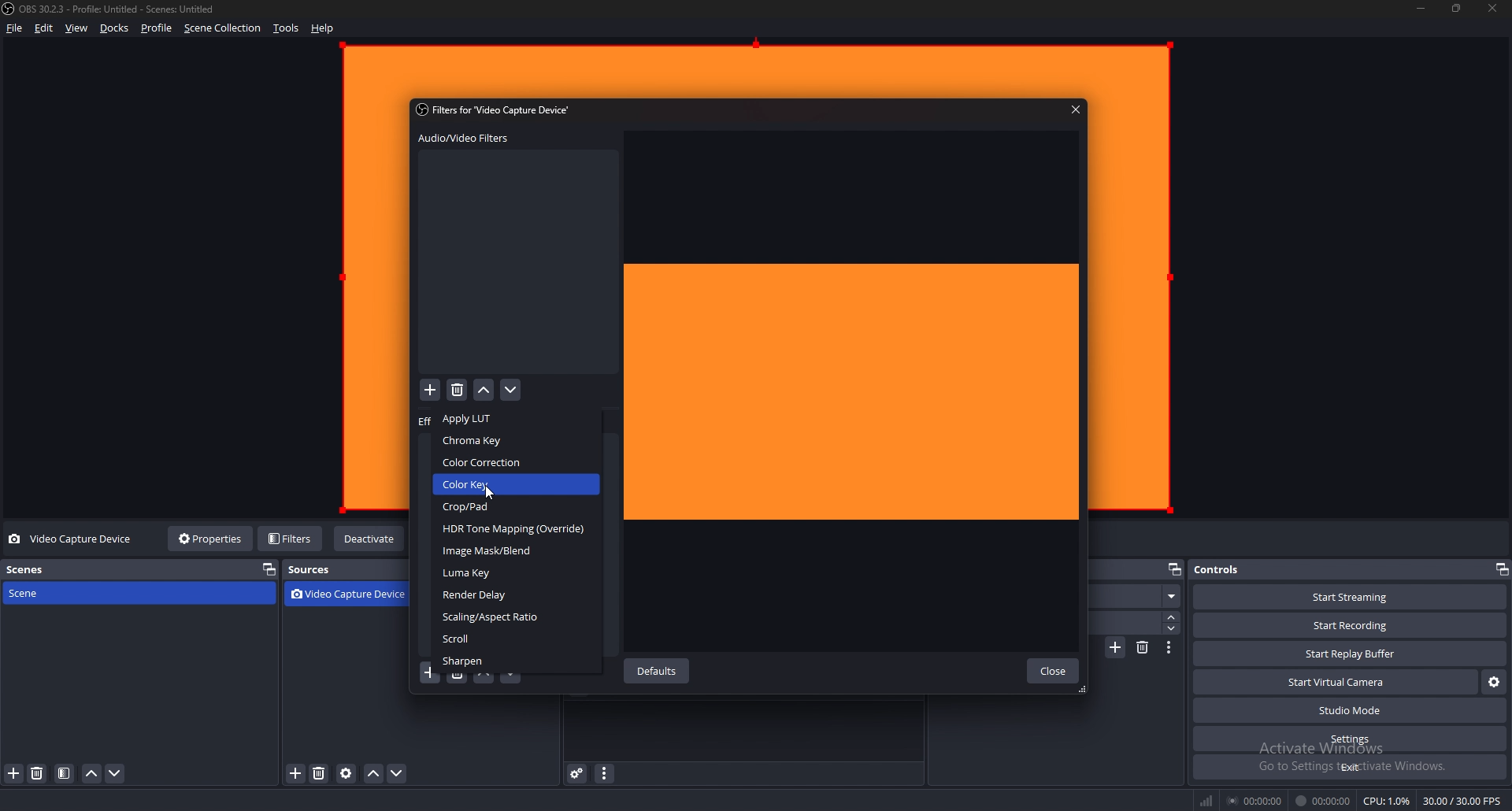 This screenshot has height=811, width=1512. I want to click on cursor, so click(489, 491).